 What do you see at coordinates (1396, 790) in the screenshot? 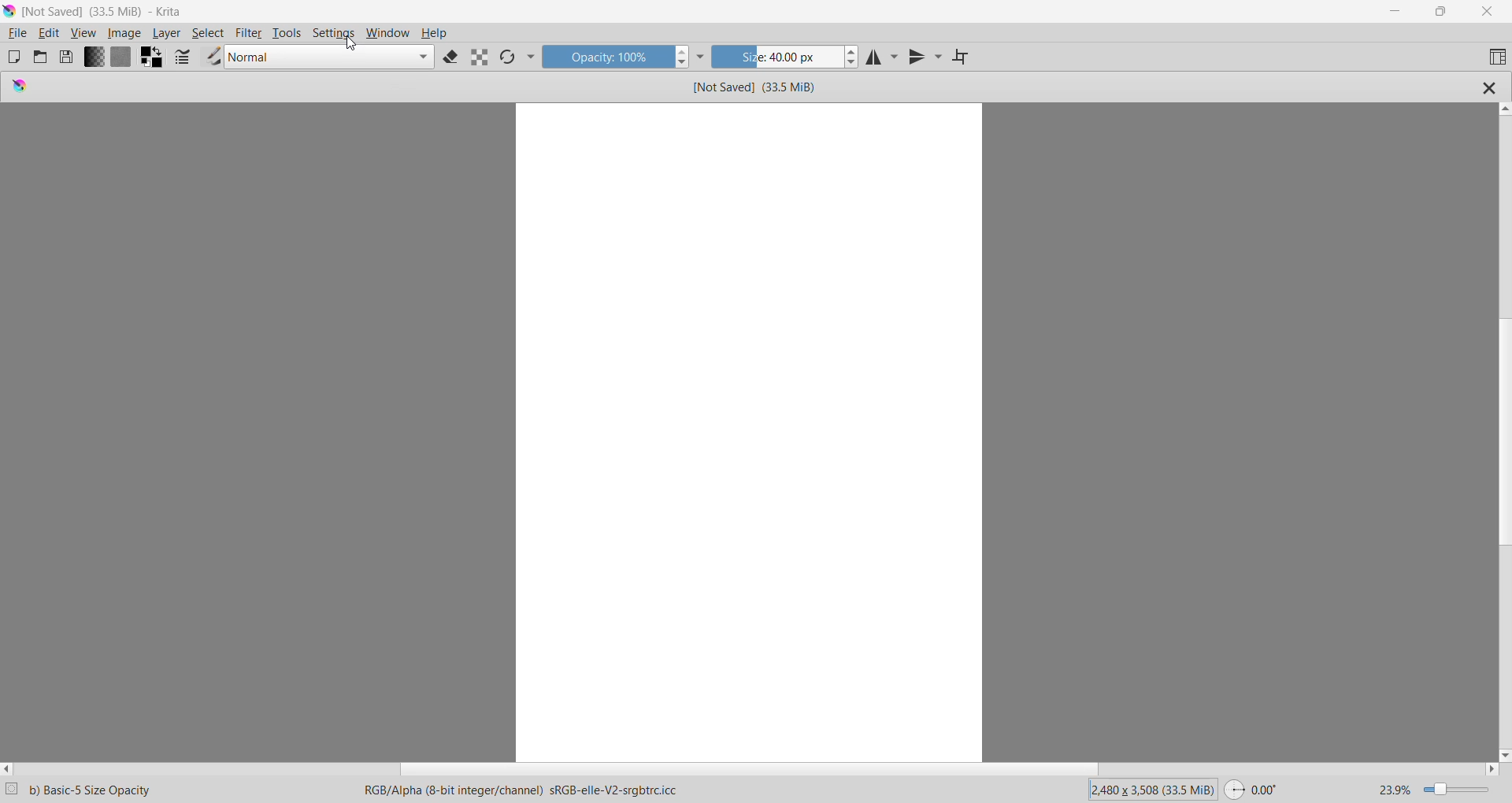
I see `23.9%` at bounding box center [1396, 790].